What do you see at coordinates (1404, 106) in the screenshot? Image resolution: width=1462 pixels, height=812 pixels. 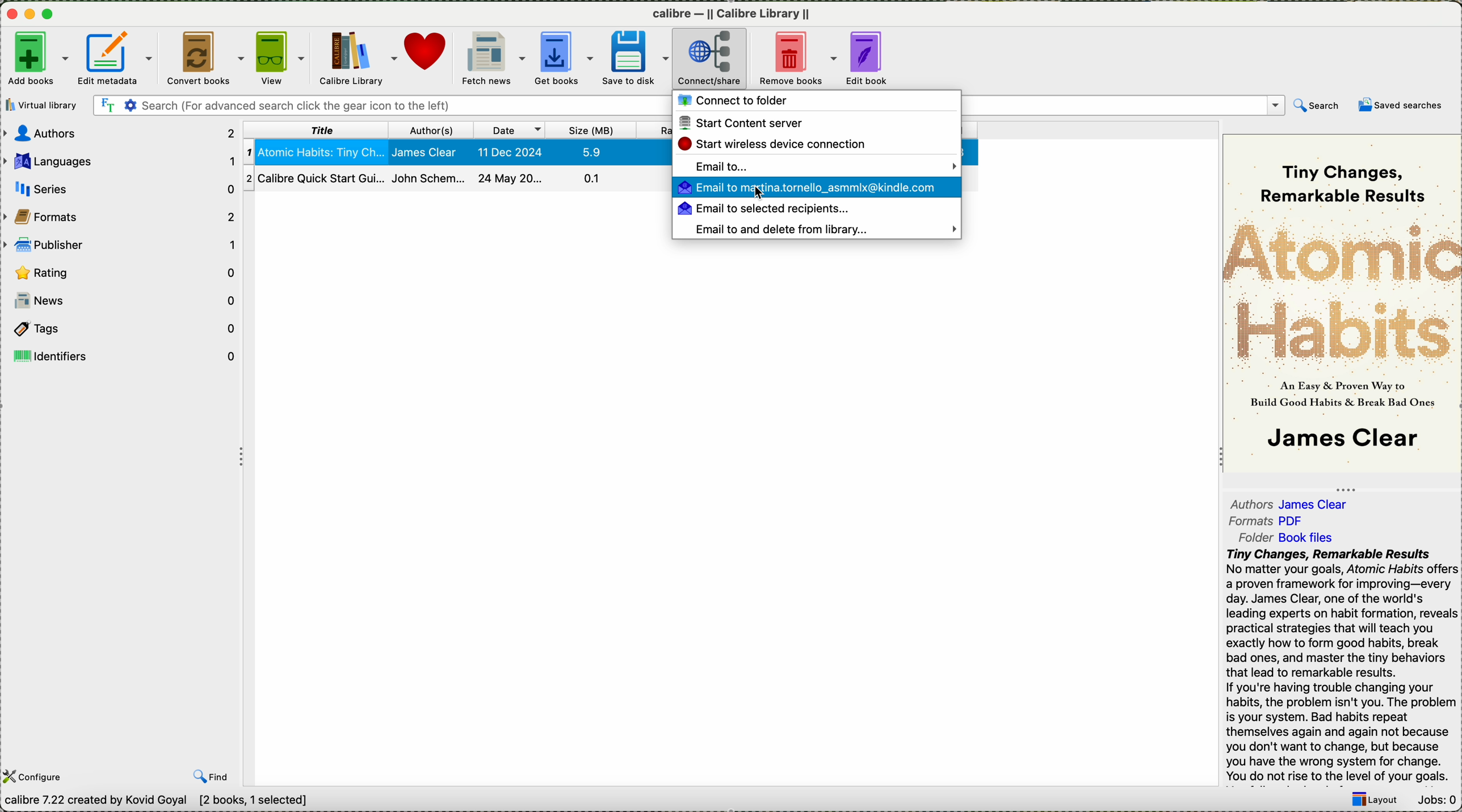 I see `saved searches` at bounding box center [1404, 106].